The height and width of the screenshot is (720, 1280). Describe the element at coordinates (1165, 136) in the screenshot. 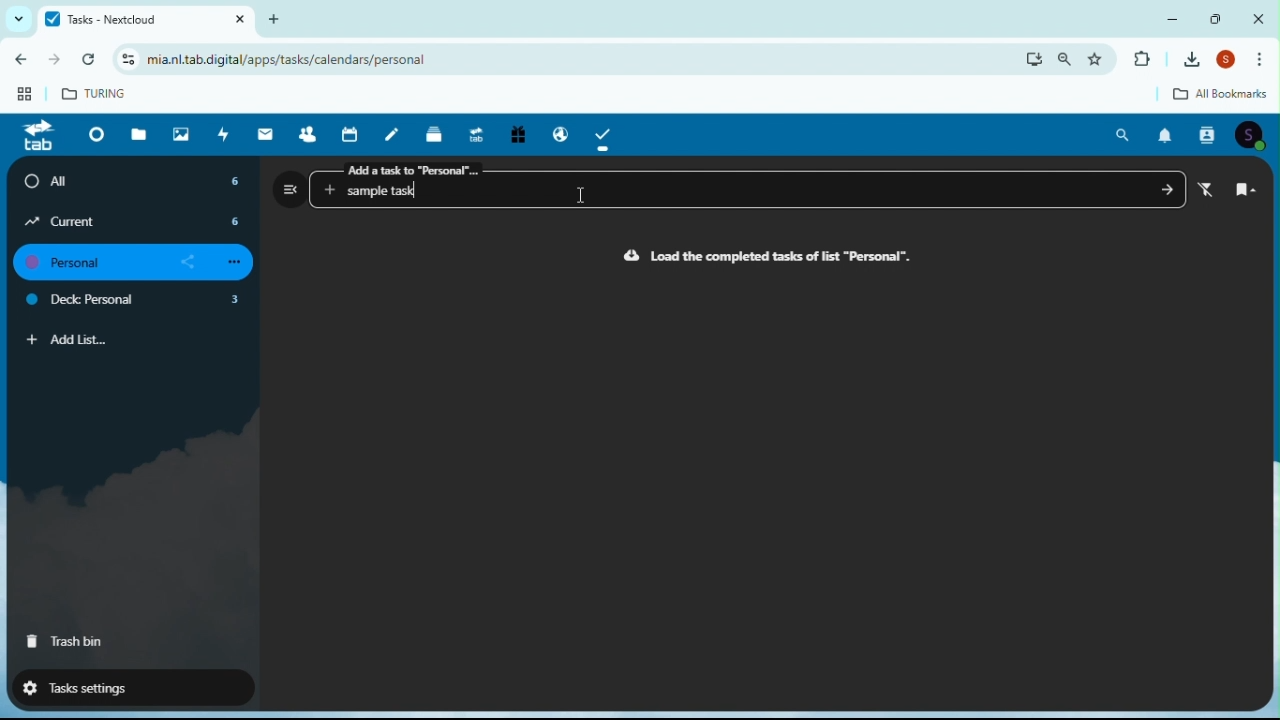

I see `Notifications` at that location.